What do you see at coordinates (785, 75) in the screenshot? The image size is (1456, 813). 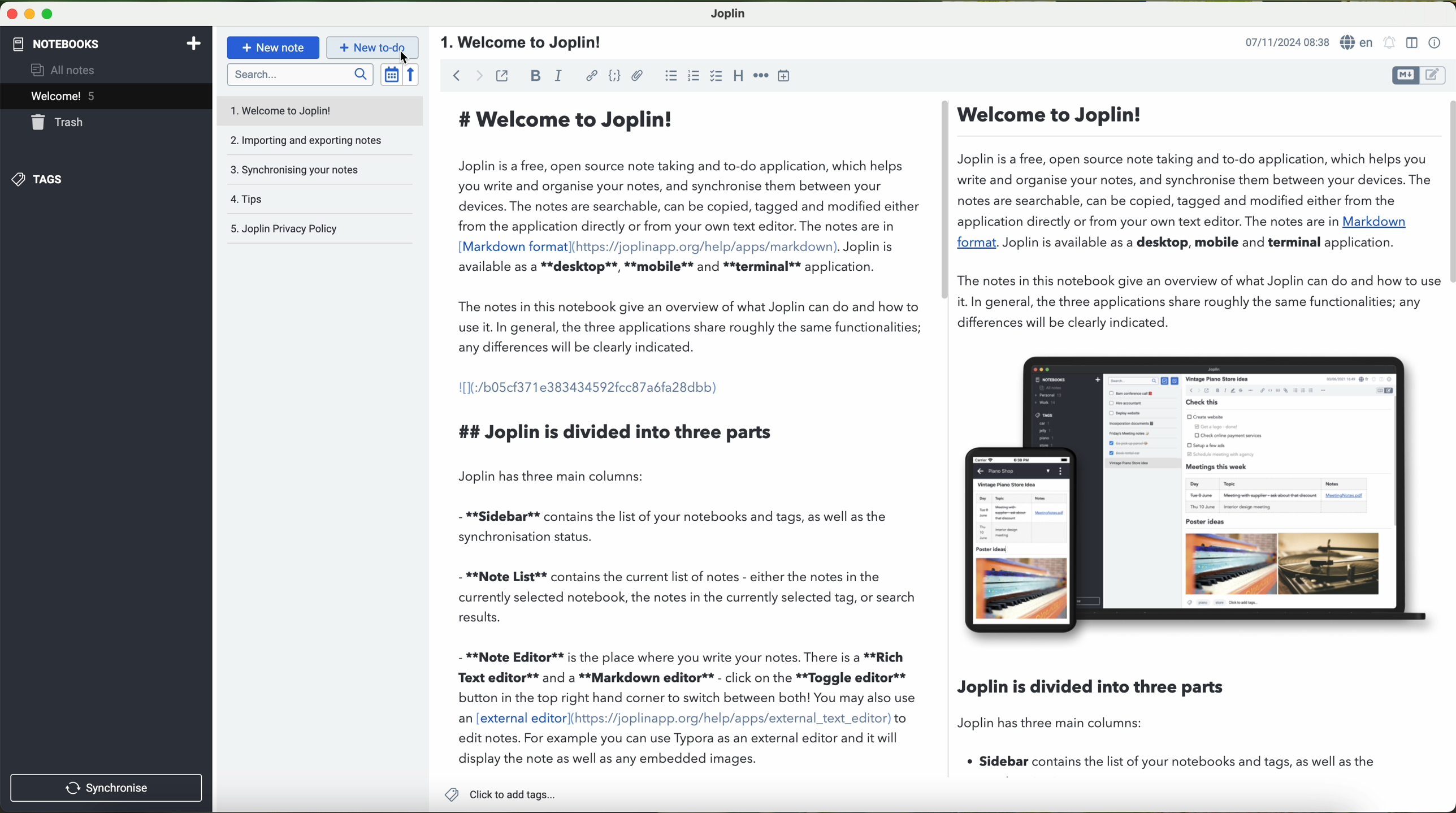 I see `insert time` at bounding box center [785, 75].